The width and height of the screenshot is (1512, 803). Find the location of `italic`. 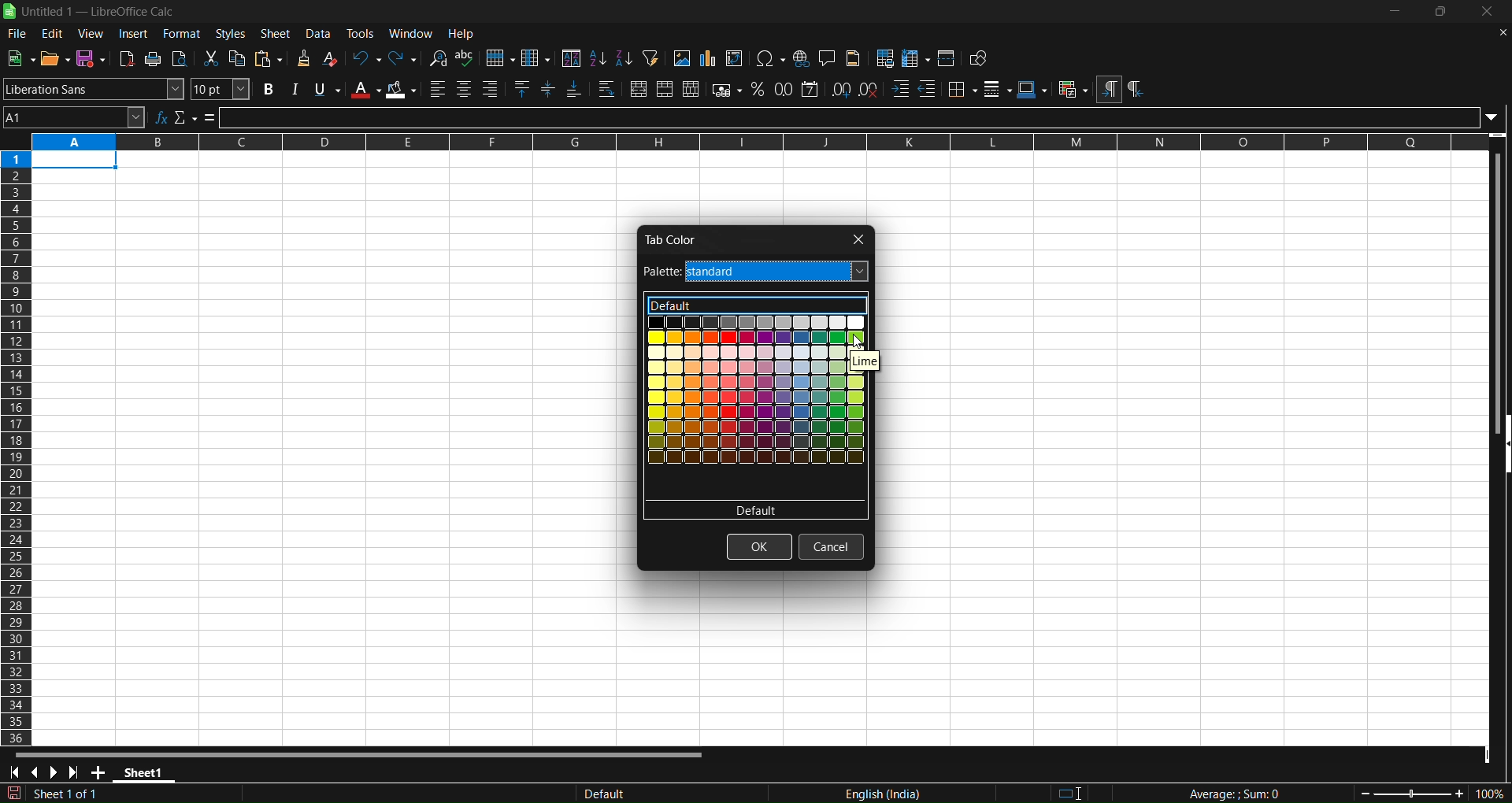

italic is located at coordinates (294, 89).